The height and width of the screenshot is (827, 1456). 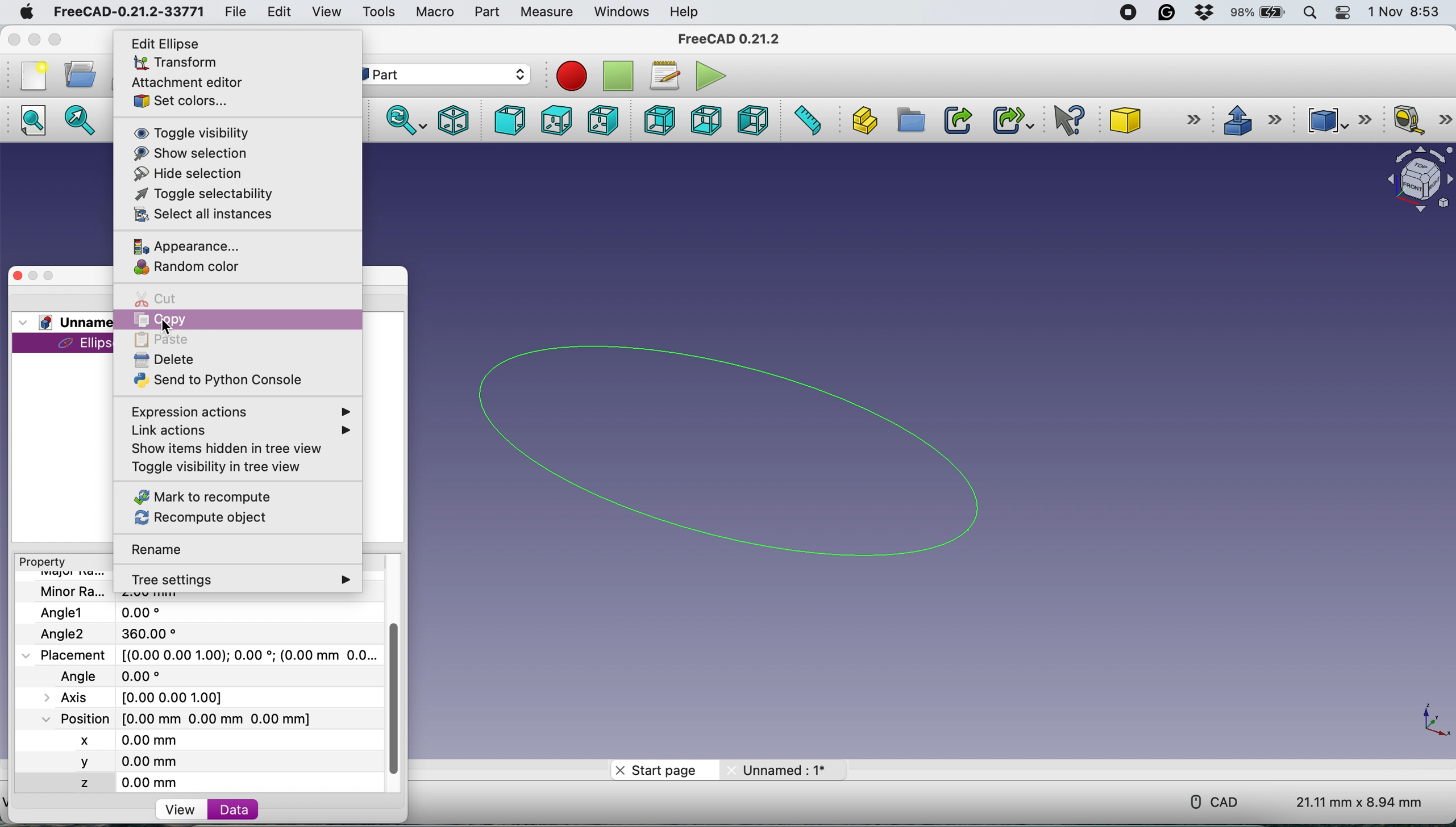 I want to click on extrude, so click(x=1254, y=122).